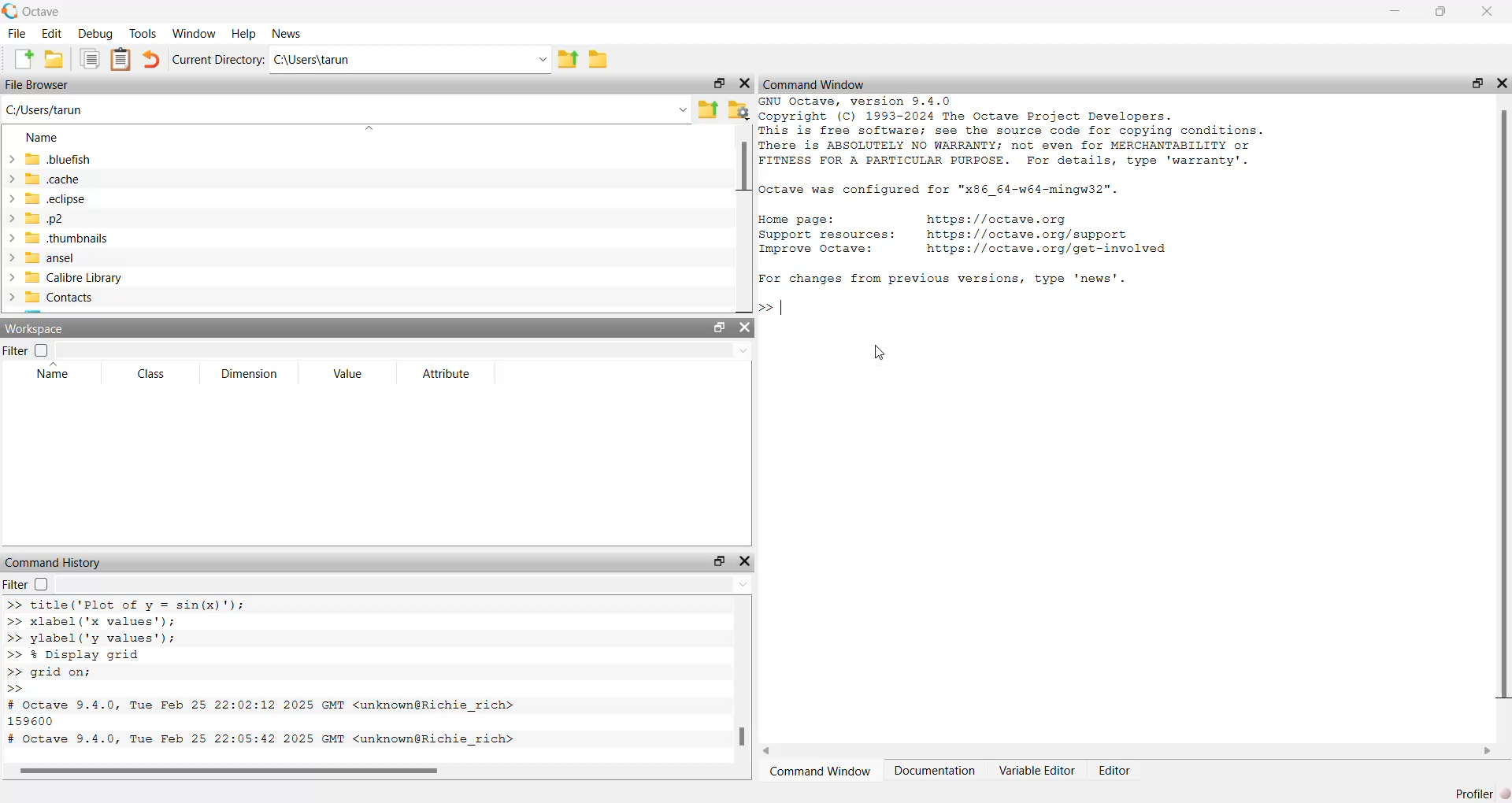 The width and height of the screenshot is (1512, 803). Describe the element at coordinates (935, 770) in the screenshot. I see `Documentation` at that location.